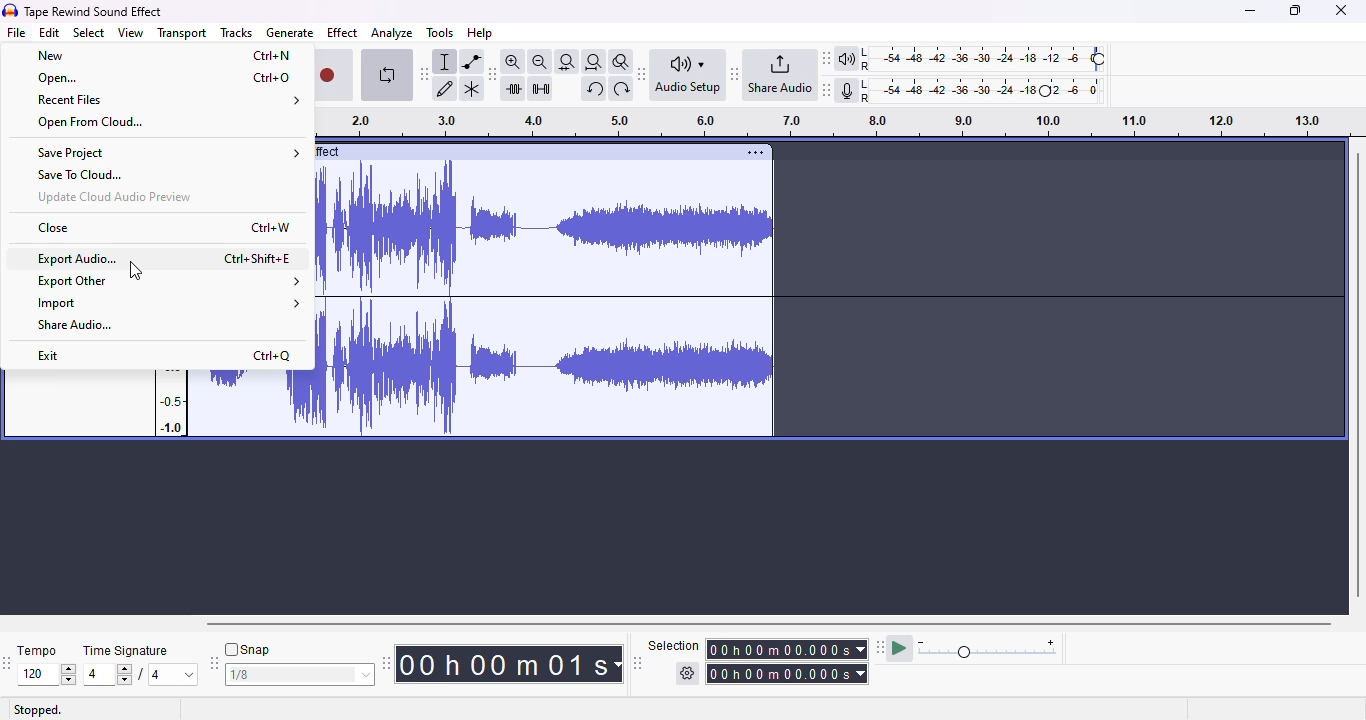  Describe the element at coordinates (271, 56) in the screenshot. I see `shortcut for new` at that location.